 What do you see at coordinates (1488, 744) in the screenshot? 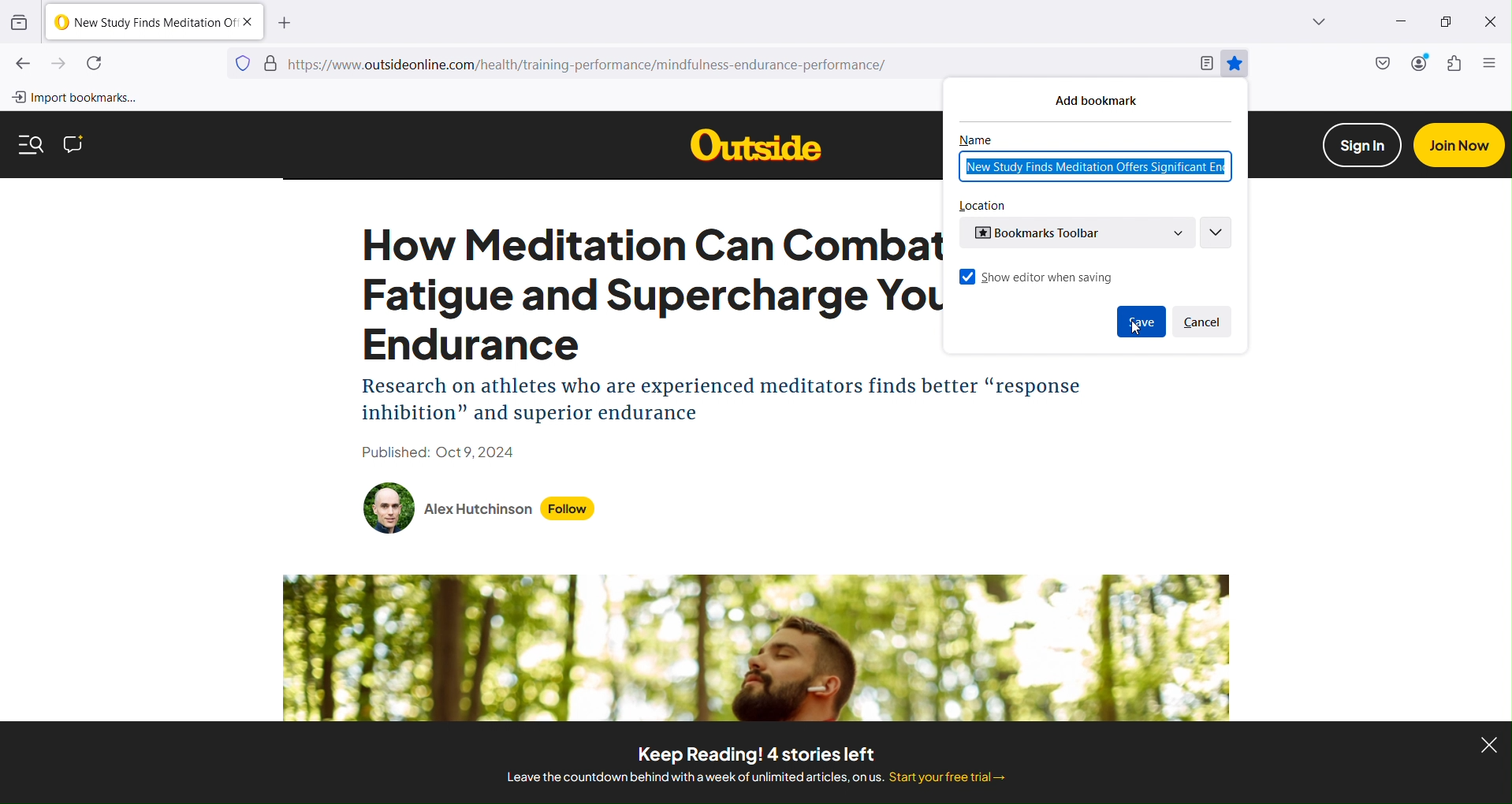
I see `Close ad` at bounding box center [1488, 744].